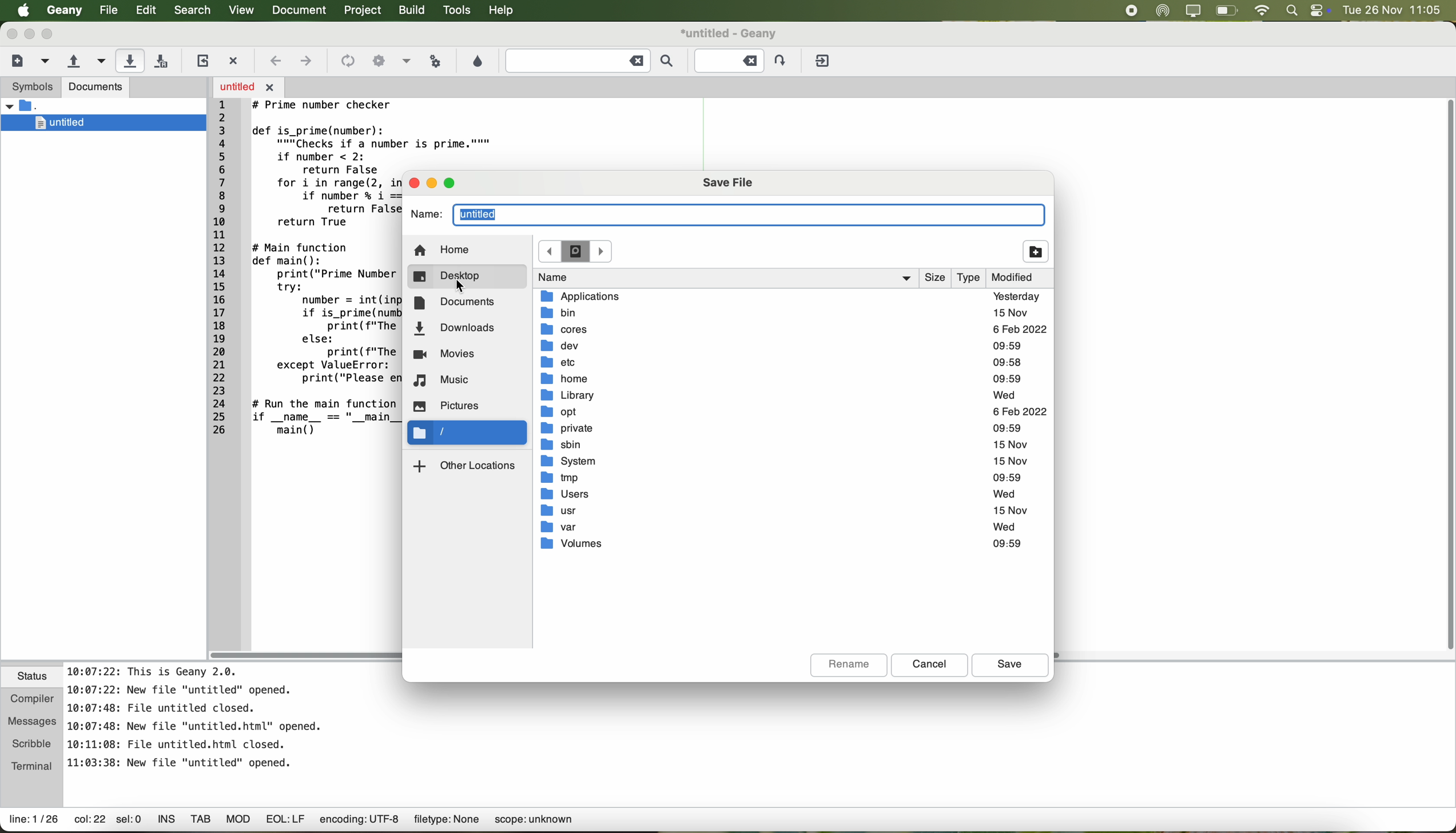 The width and height of the screenshot is (1456, 833). What do you see at coordinates (781, 363) in the screenshot?
I see `etc` at bounding box center [781, 363].